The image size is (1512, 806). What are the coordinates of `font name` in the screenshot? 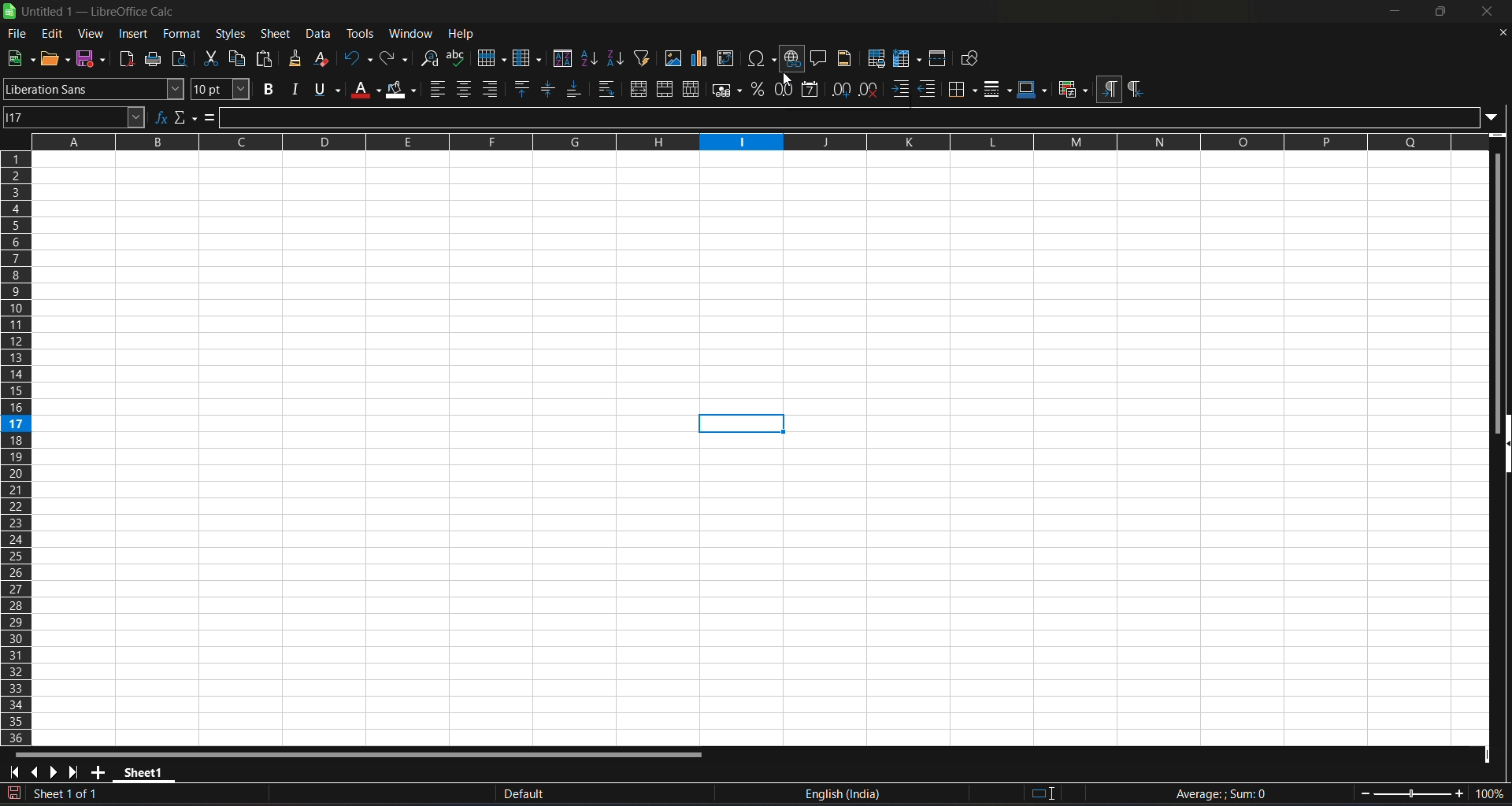 It's located at (94, 88).